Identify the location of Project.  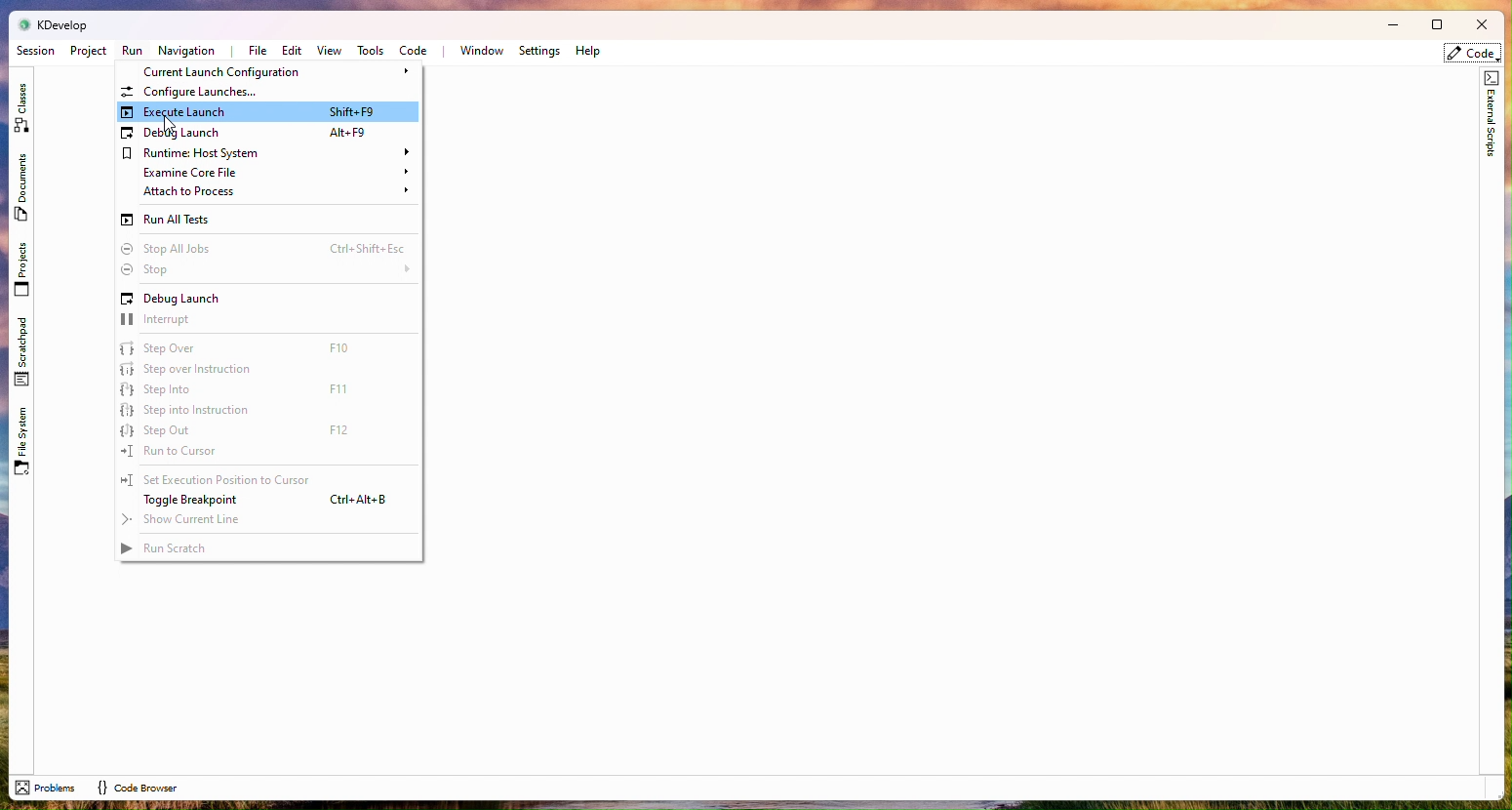
(88, 51).